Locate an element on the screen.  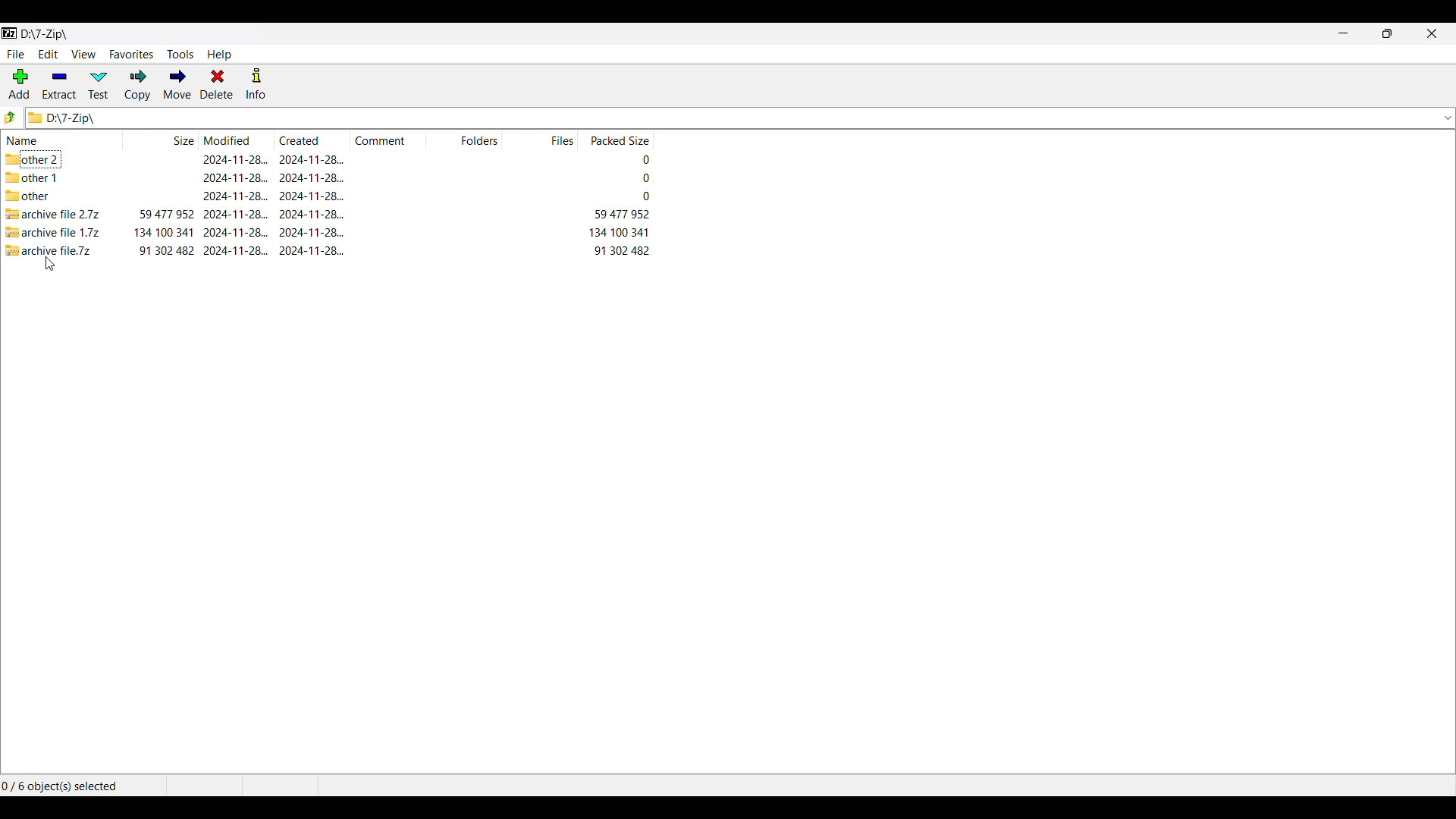
Test is located at coordinates (99, 85).